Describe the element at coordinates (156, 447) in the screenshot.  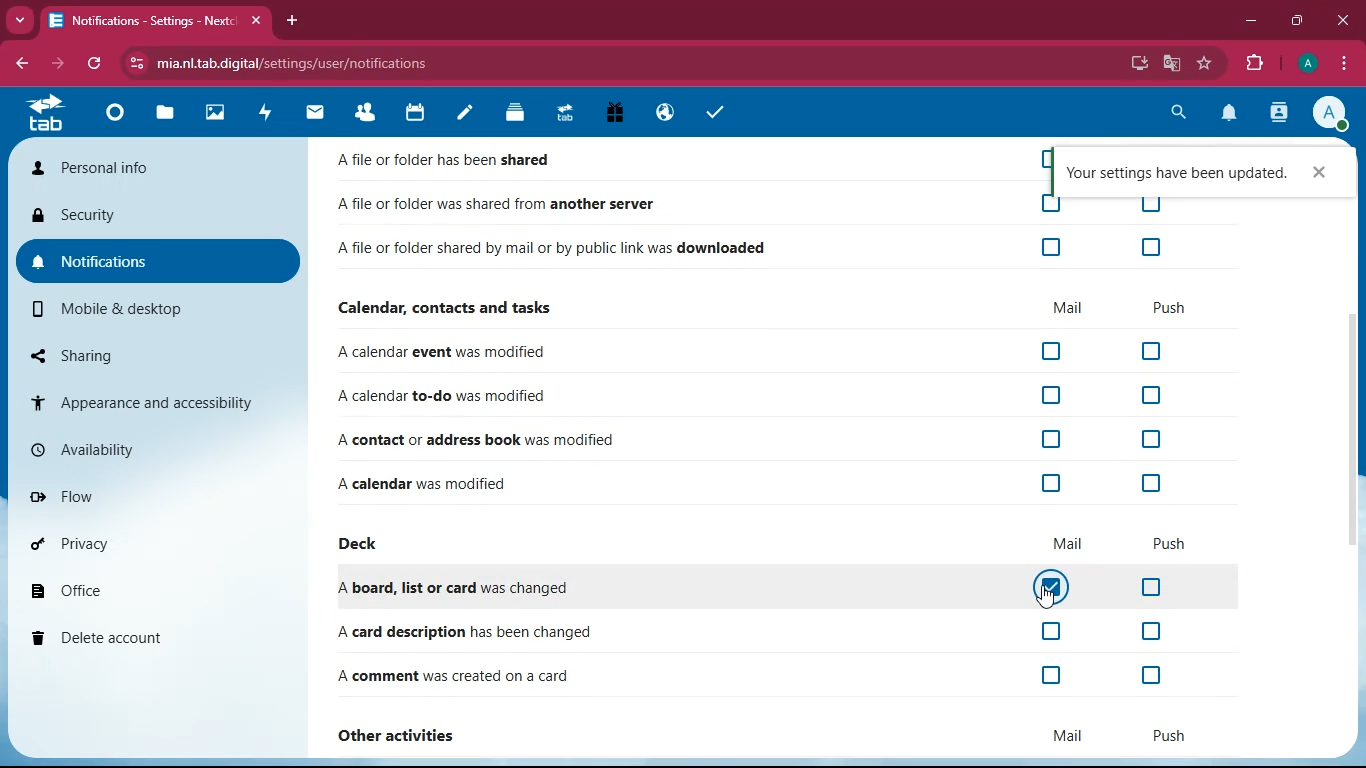
I see `availability` at that location.